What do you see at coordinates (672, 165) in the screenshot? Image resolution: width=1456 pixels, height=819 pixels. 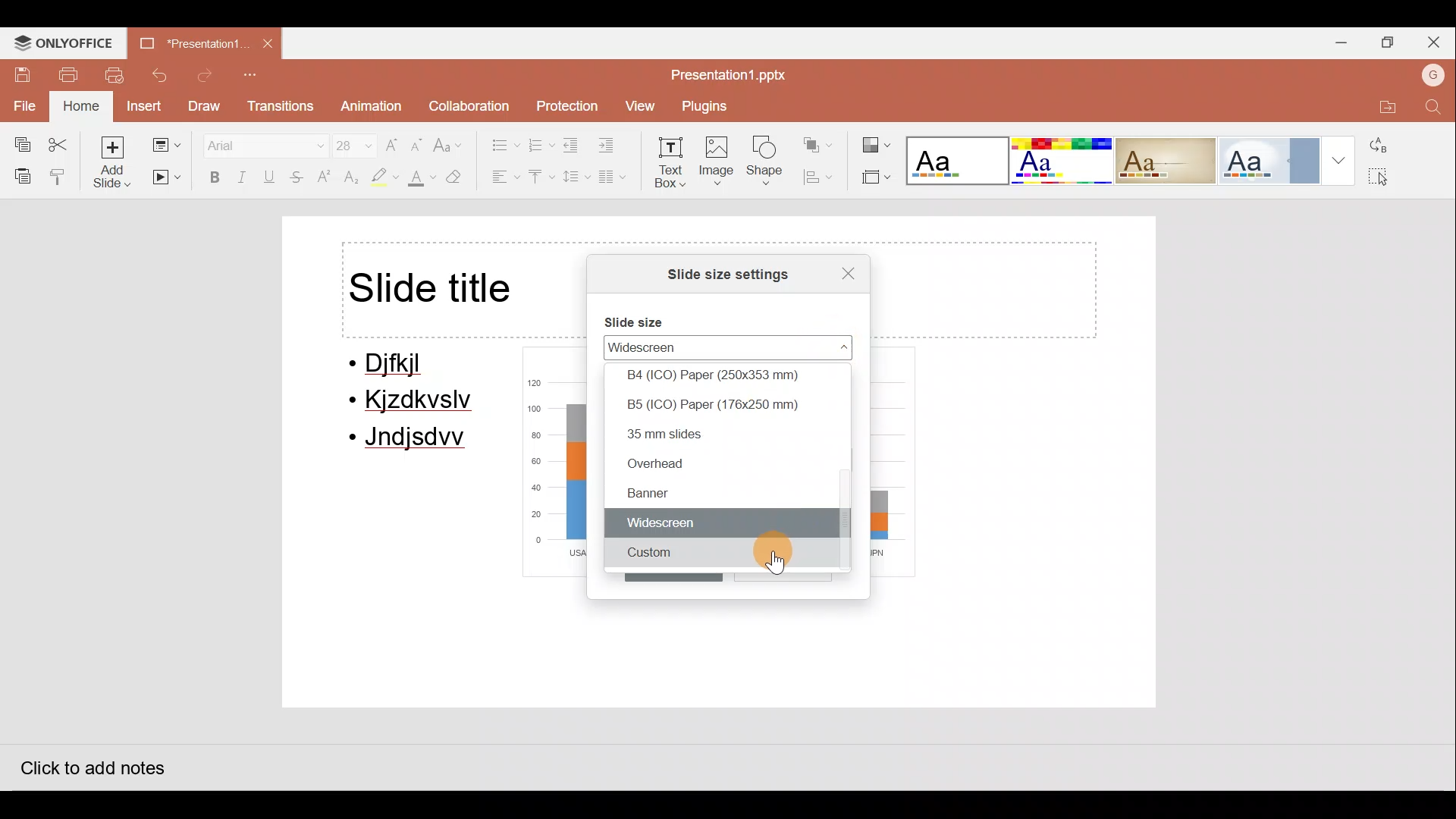 I see `Text box` at bounding box center [672, 165].